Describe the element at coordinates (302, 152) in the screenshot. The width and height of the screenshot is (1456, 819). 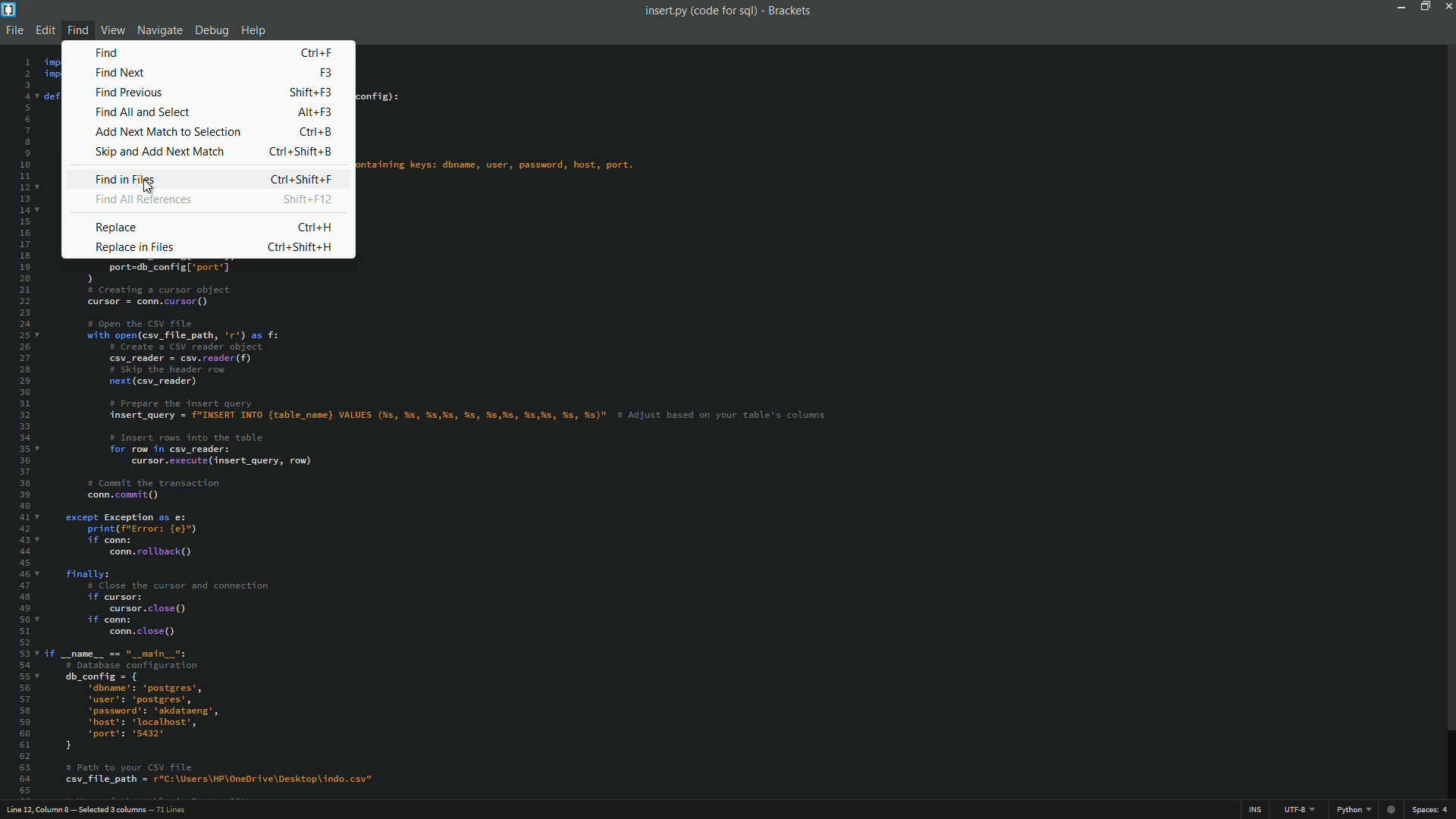
I see `keyboard shortcut` at that location.